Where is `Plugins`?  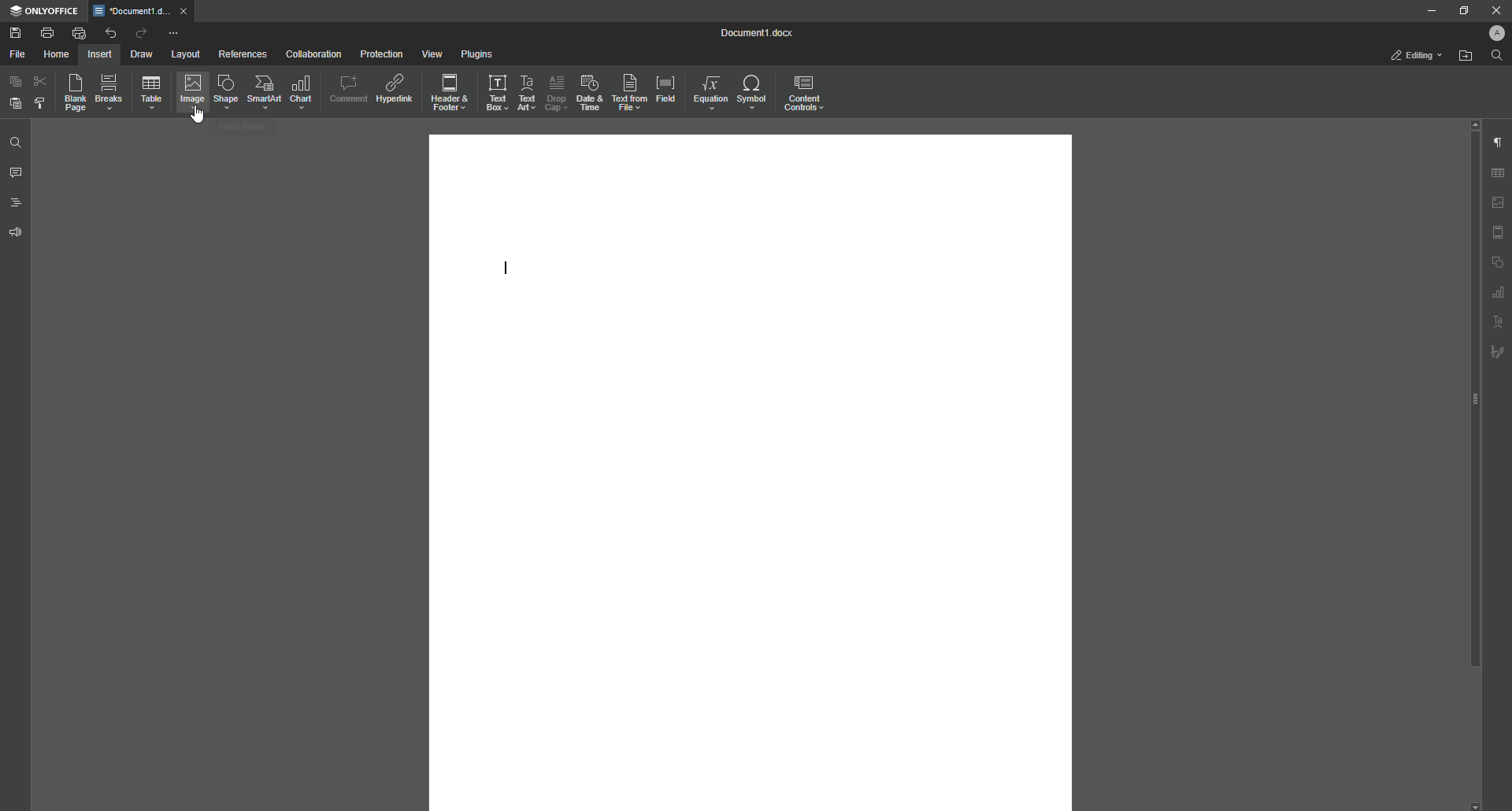 Plugins is located at coordinates (478, 54).